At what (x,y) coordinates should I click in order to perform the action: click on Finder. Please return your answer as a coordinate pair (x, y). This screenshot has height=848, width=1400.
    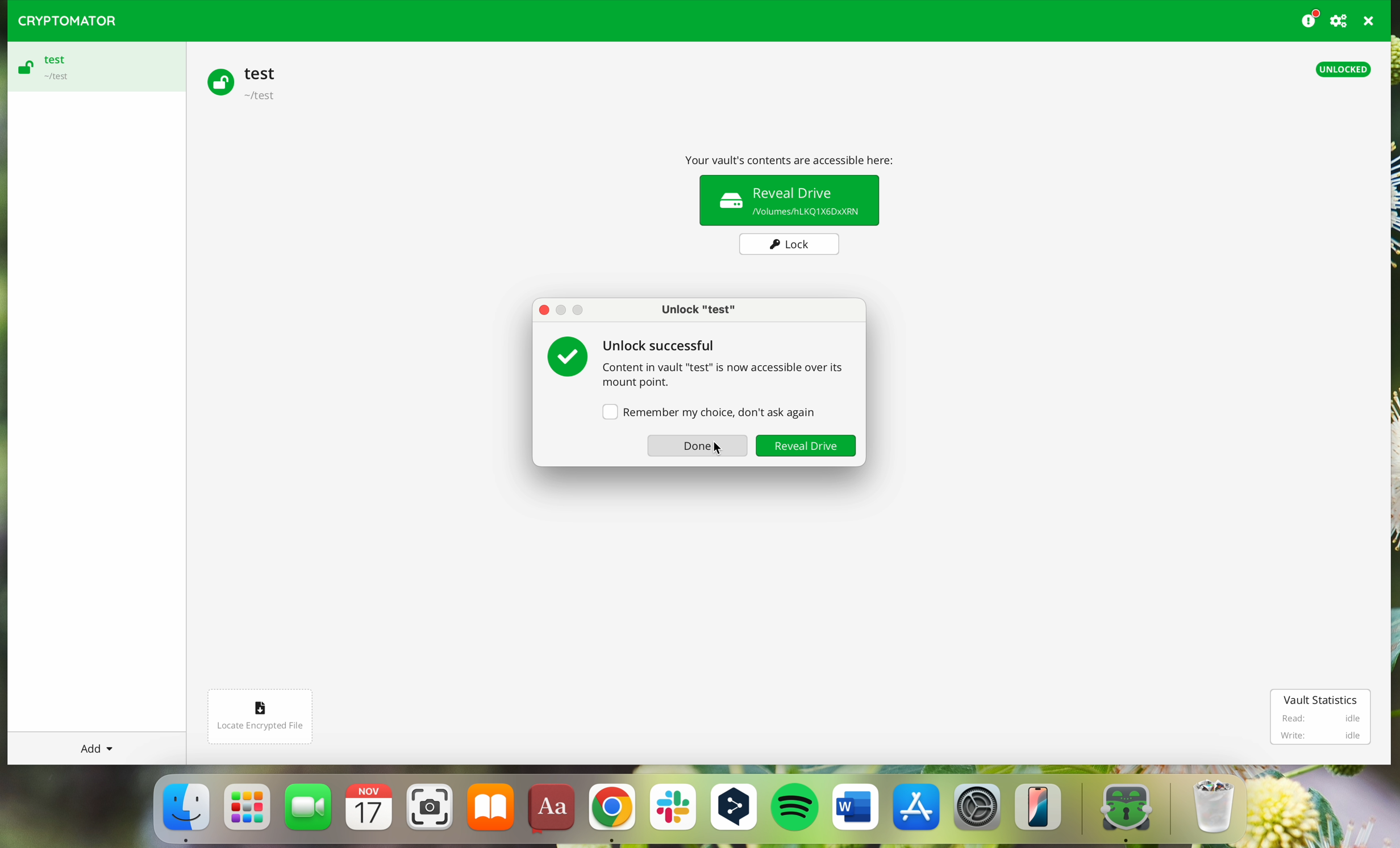
    Looking at the image, I should click on (185, 810).